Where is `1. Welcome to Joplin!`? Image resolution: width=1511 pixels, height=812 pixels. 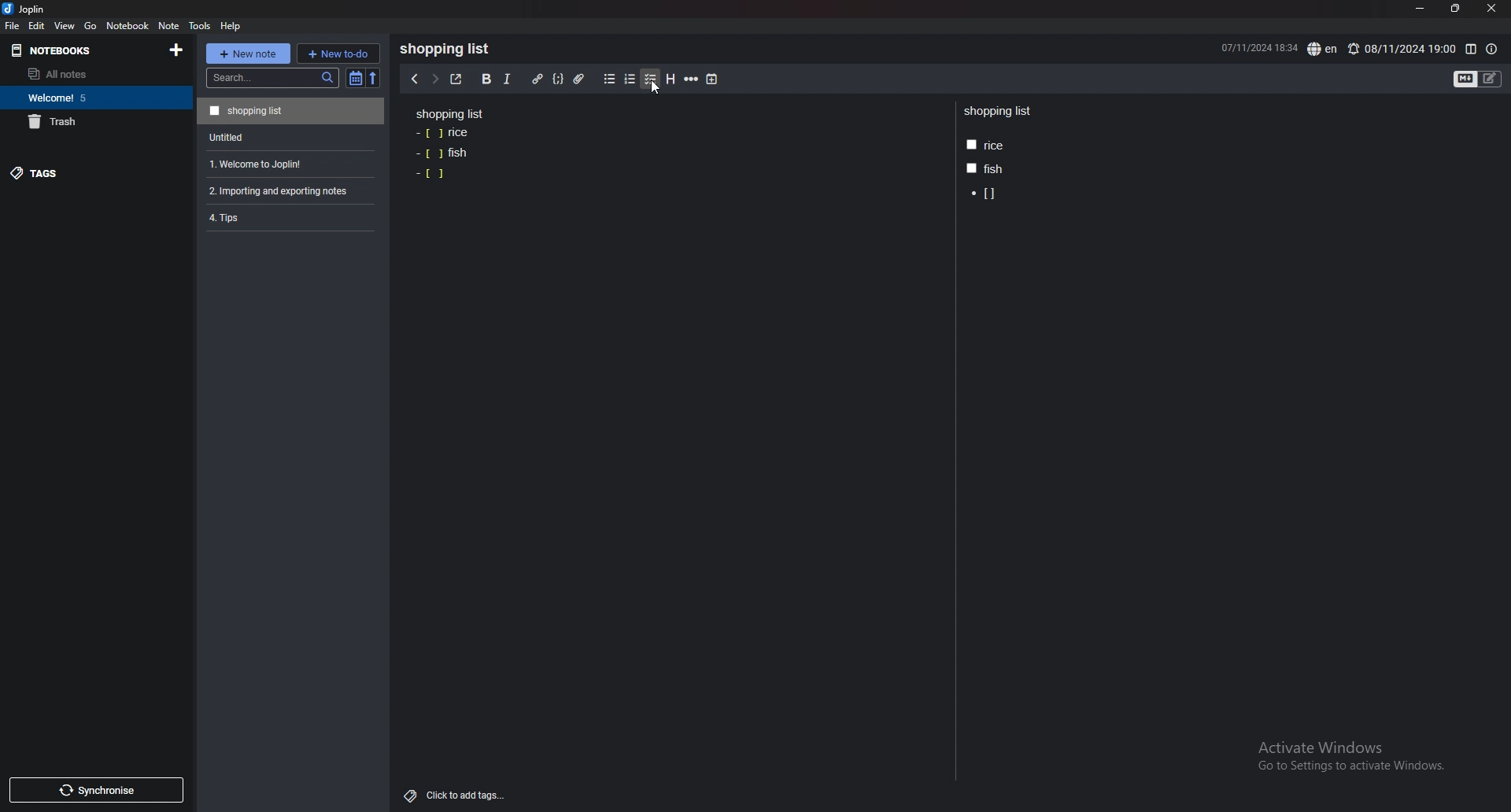
1. Welcome to Joplin! is located at coordinates (287, 162).